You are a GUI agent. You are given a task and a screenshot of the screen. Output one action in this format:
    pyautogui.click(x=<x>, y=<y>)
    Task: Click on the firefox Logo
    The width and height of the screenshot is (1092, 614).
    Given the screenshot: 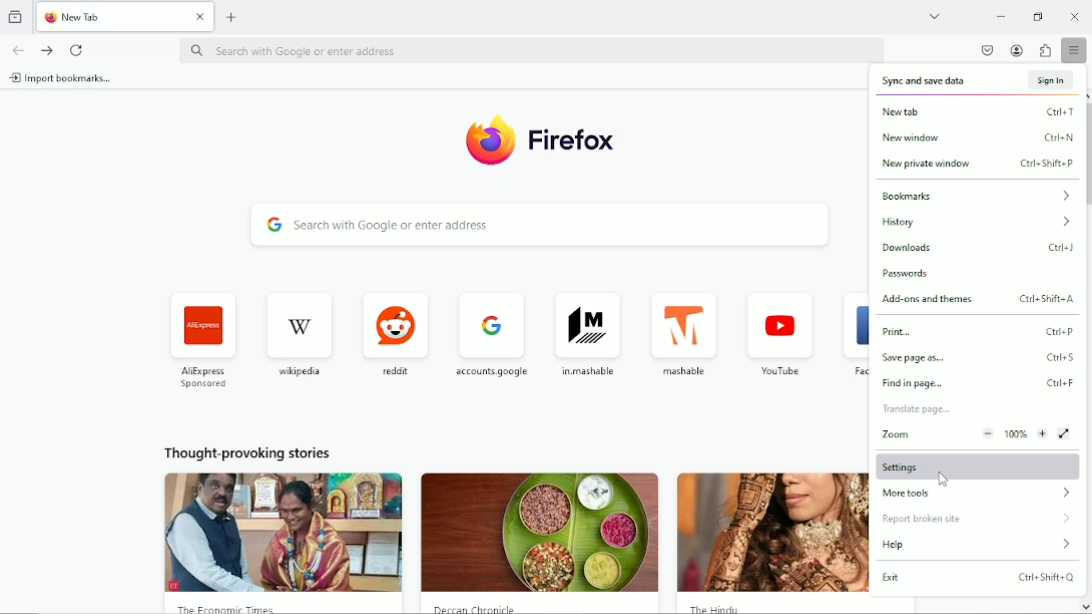 What is the action you would take?
    pyautogui.click(x=488, y=141)
    